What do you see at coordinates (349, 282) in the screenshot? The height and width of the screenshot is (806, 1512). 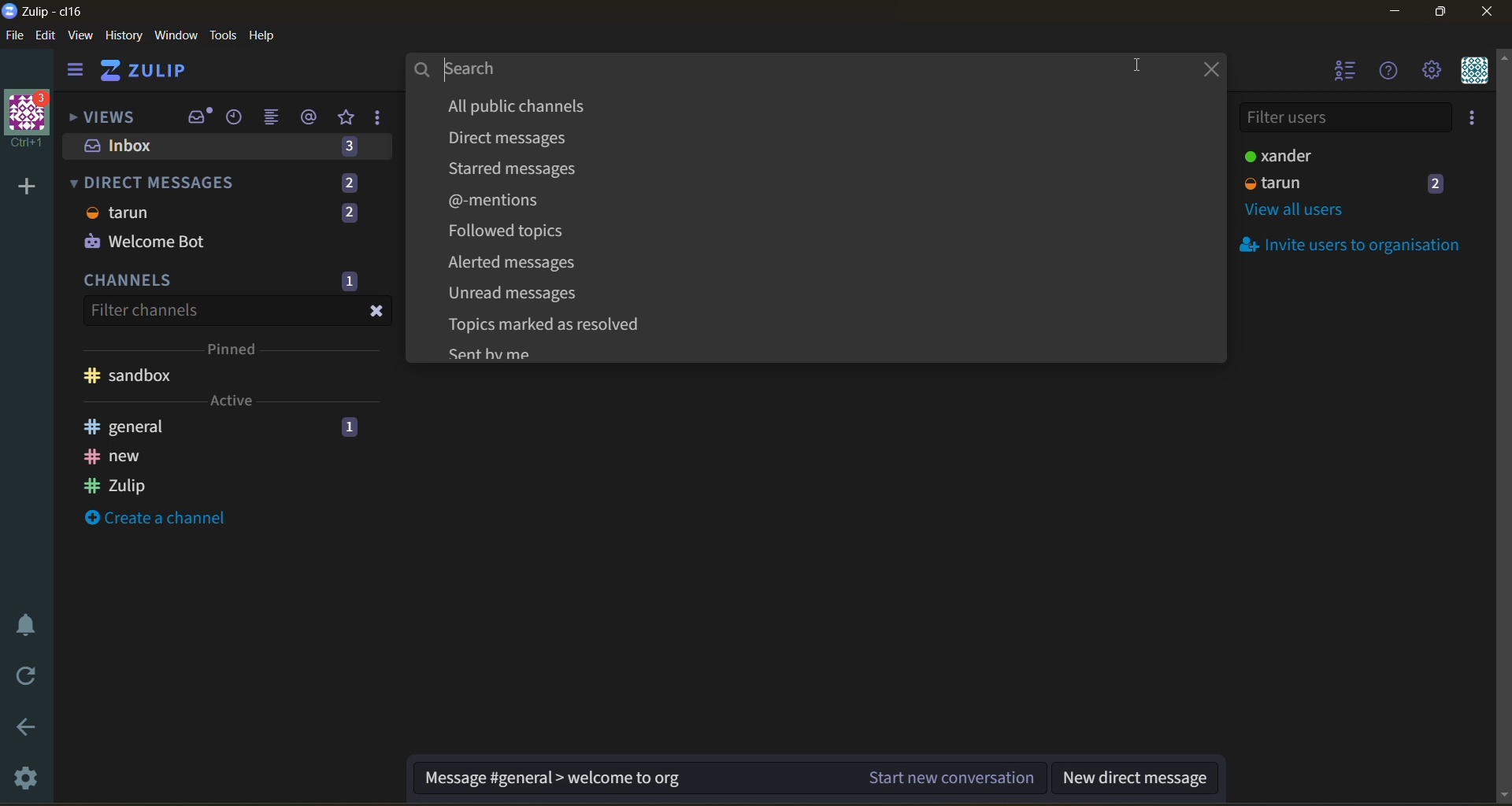 I see `1` at bounding box center [349, 282].